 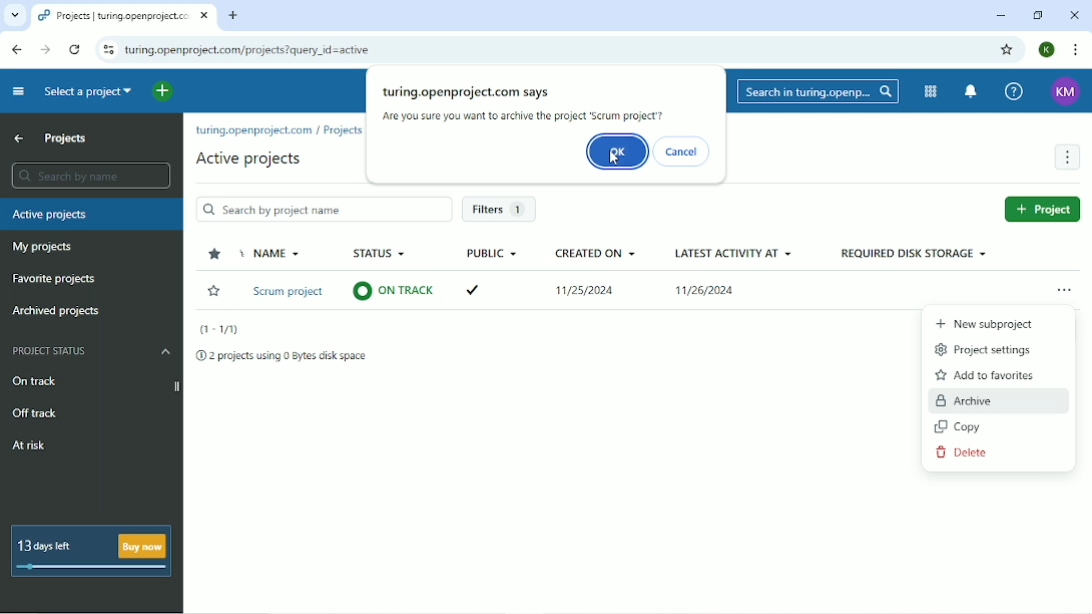 What do you see at coordinates (466, 92) in the screenshot?
I see `turing.openproject.com says` at bounding box center [466, 92].